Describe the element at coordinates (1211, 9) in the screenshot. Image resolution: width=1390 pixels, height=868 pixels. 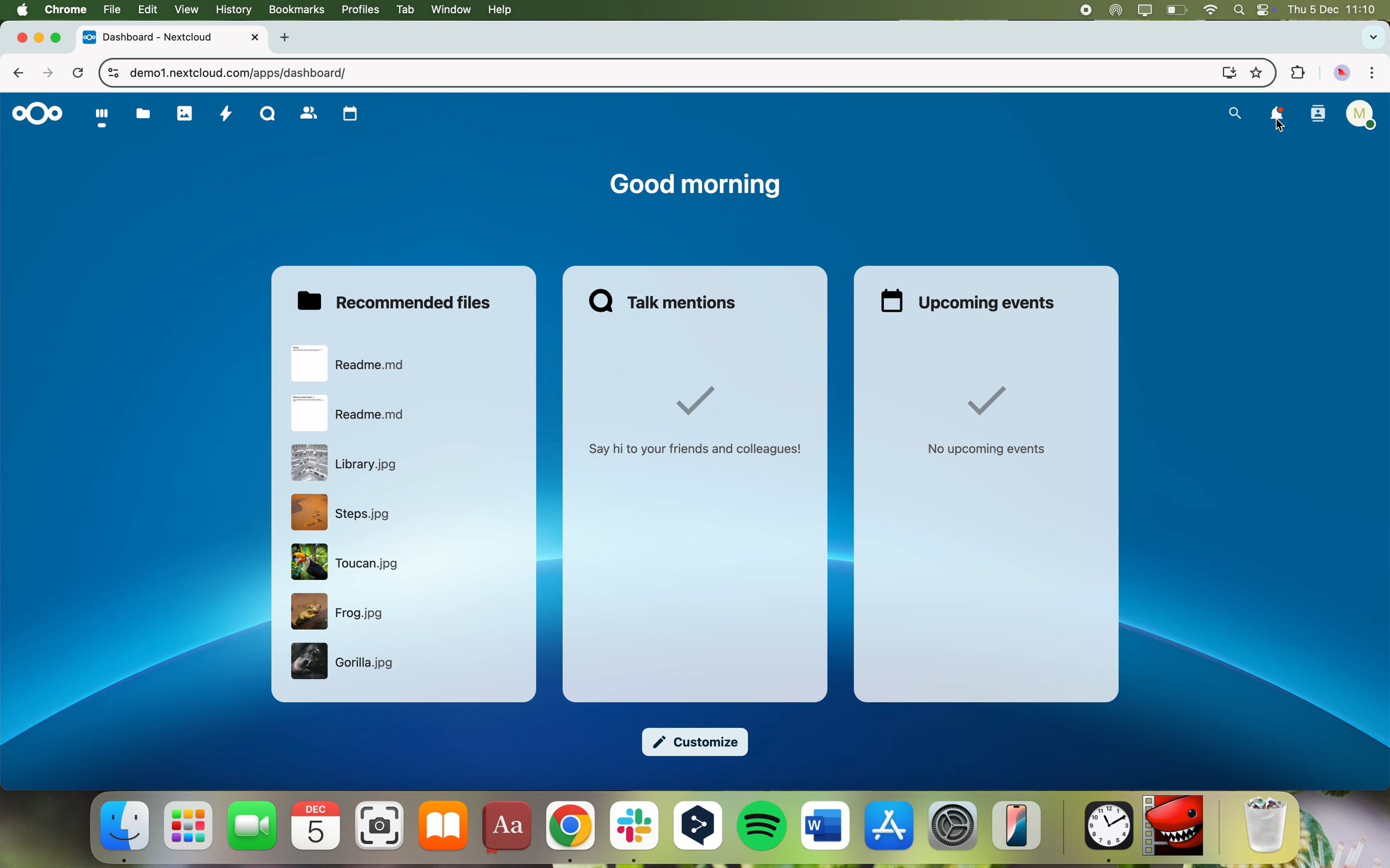
I see `wifi` at that location.